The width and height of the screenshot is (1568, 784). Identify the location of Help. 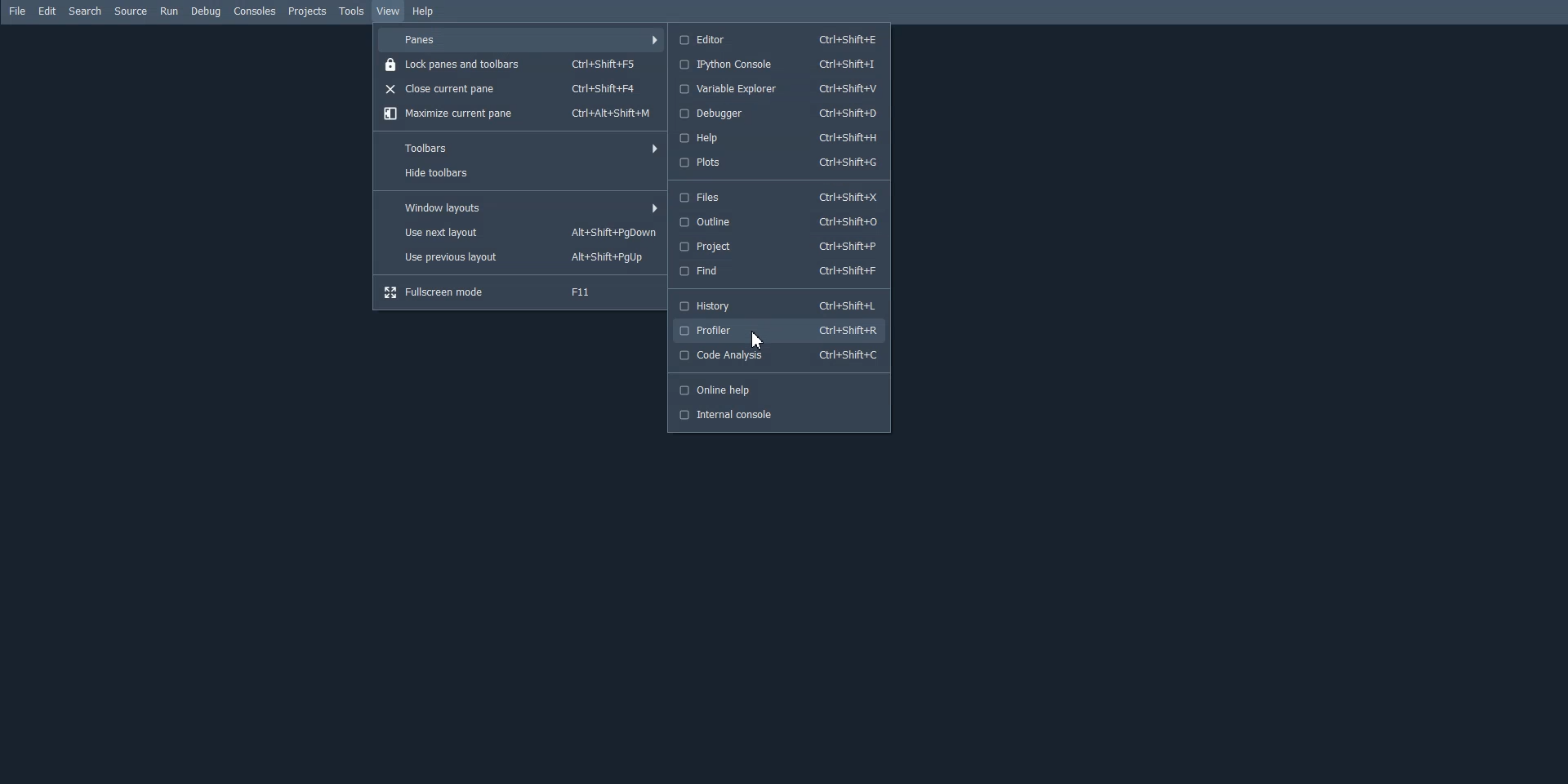
(777, 138).